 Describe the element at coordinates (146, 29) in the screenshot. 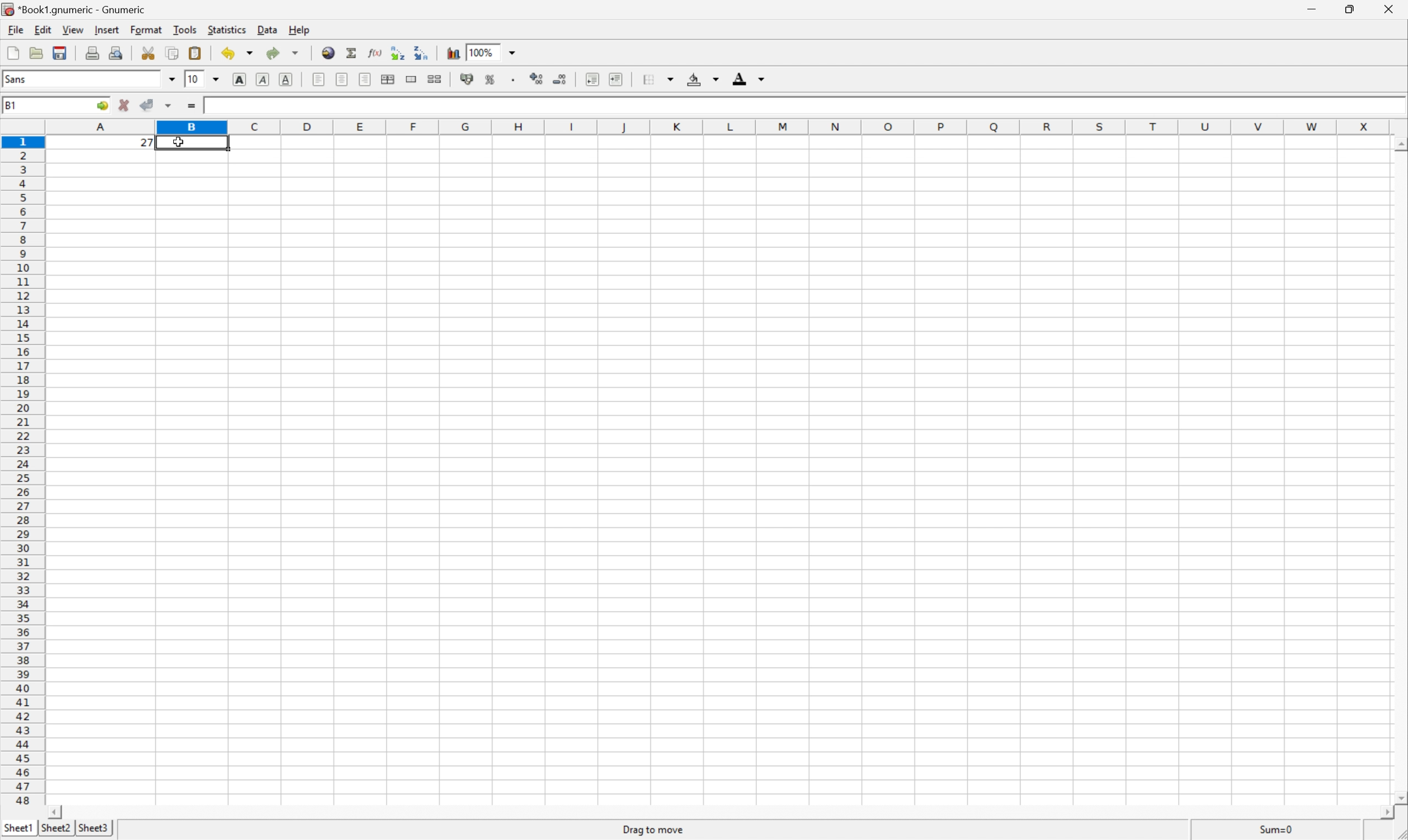

I see `Format` at that location.